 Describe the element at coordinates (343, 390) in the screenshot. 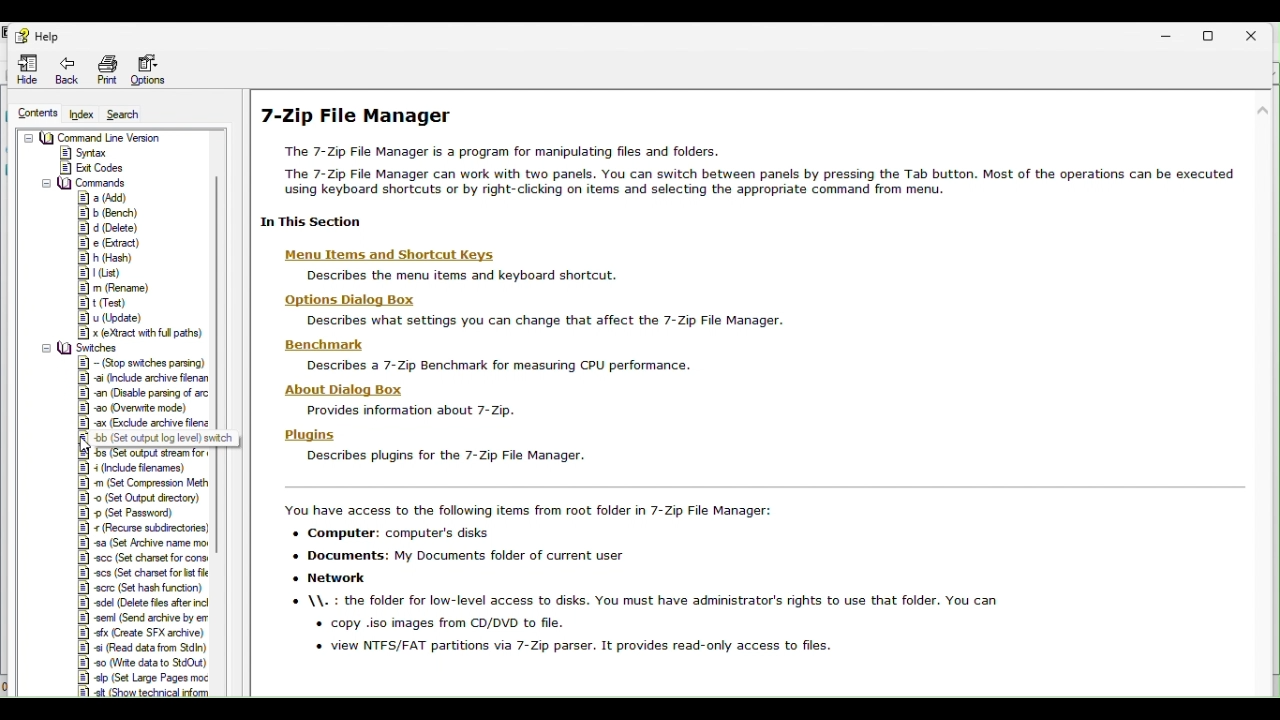

I see `‘About Dialog Box` at that location.